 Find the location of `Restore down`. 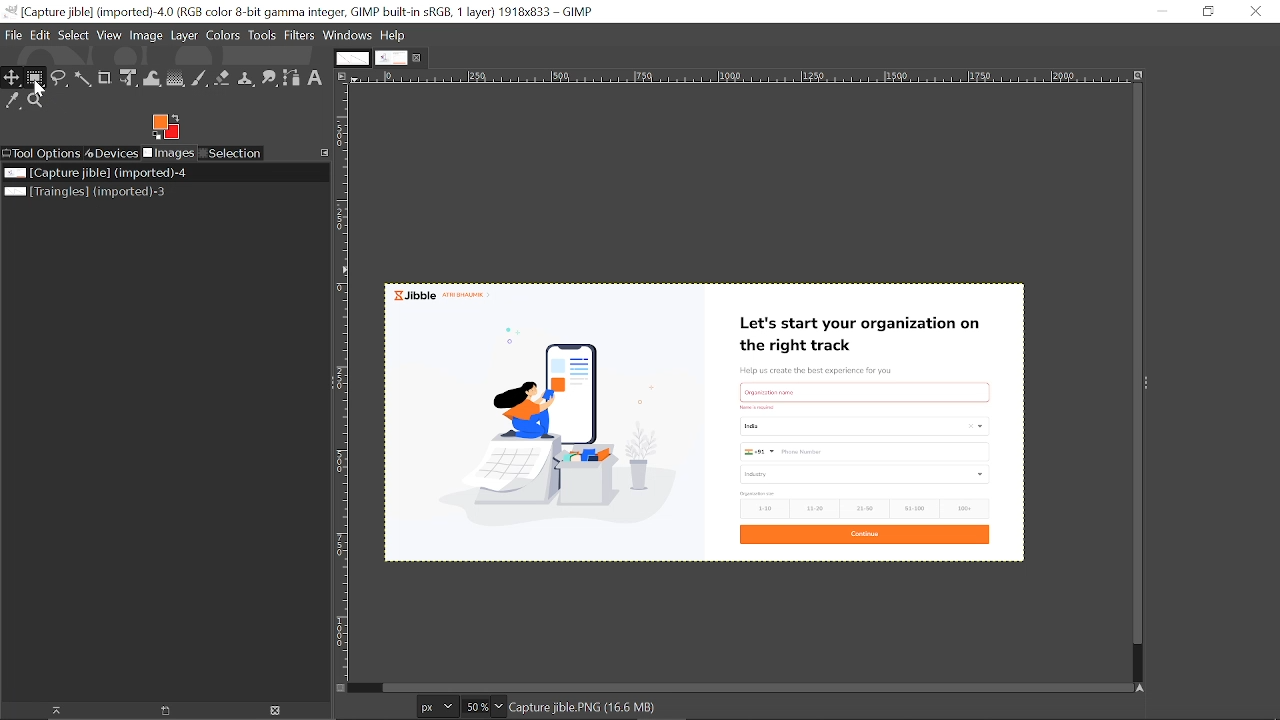

Restore down is located at coordinates (1208, 12).